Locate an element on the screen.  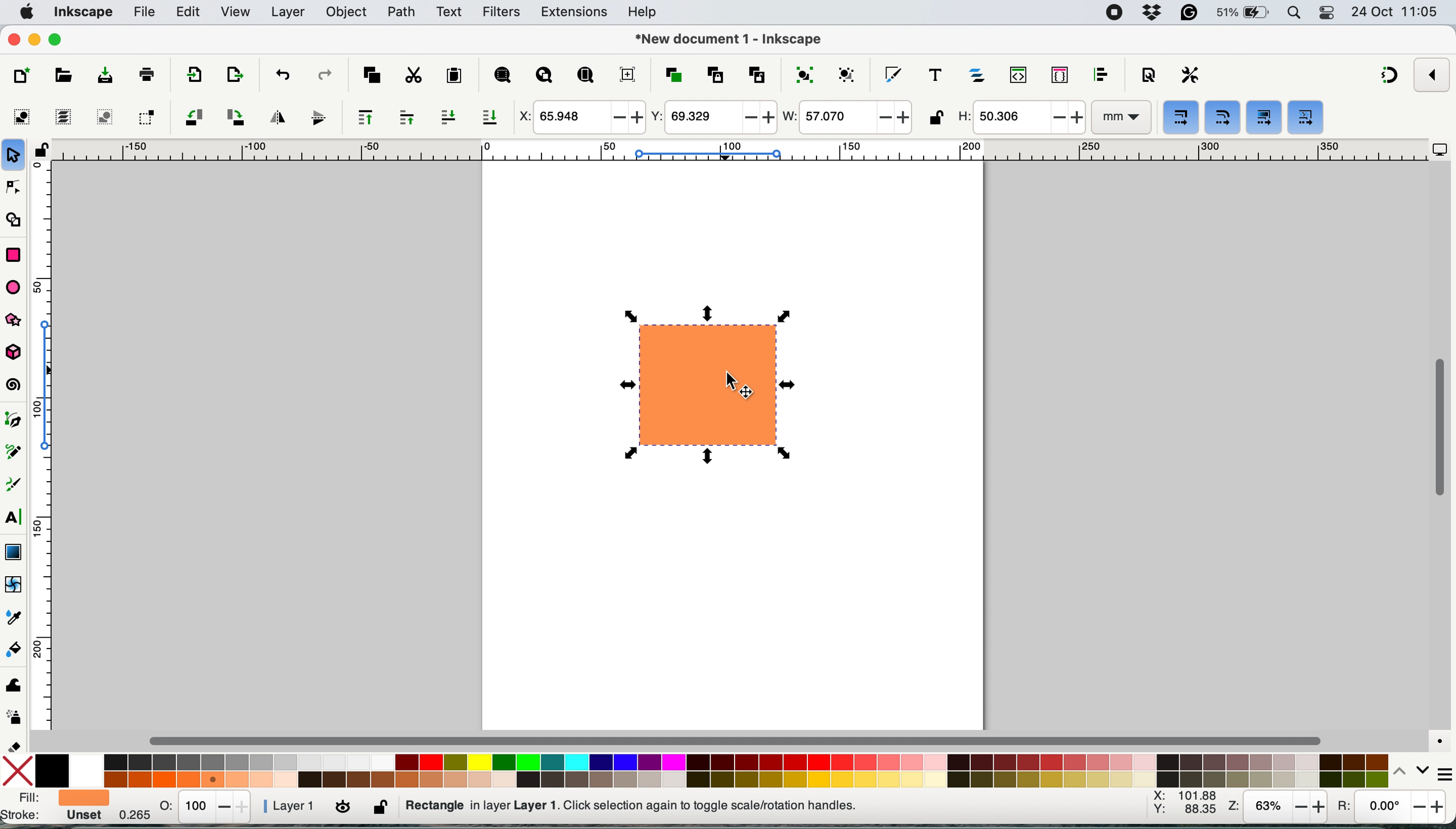
erase tool is located at coordinates (16, 746).